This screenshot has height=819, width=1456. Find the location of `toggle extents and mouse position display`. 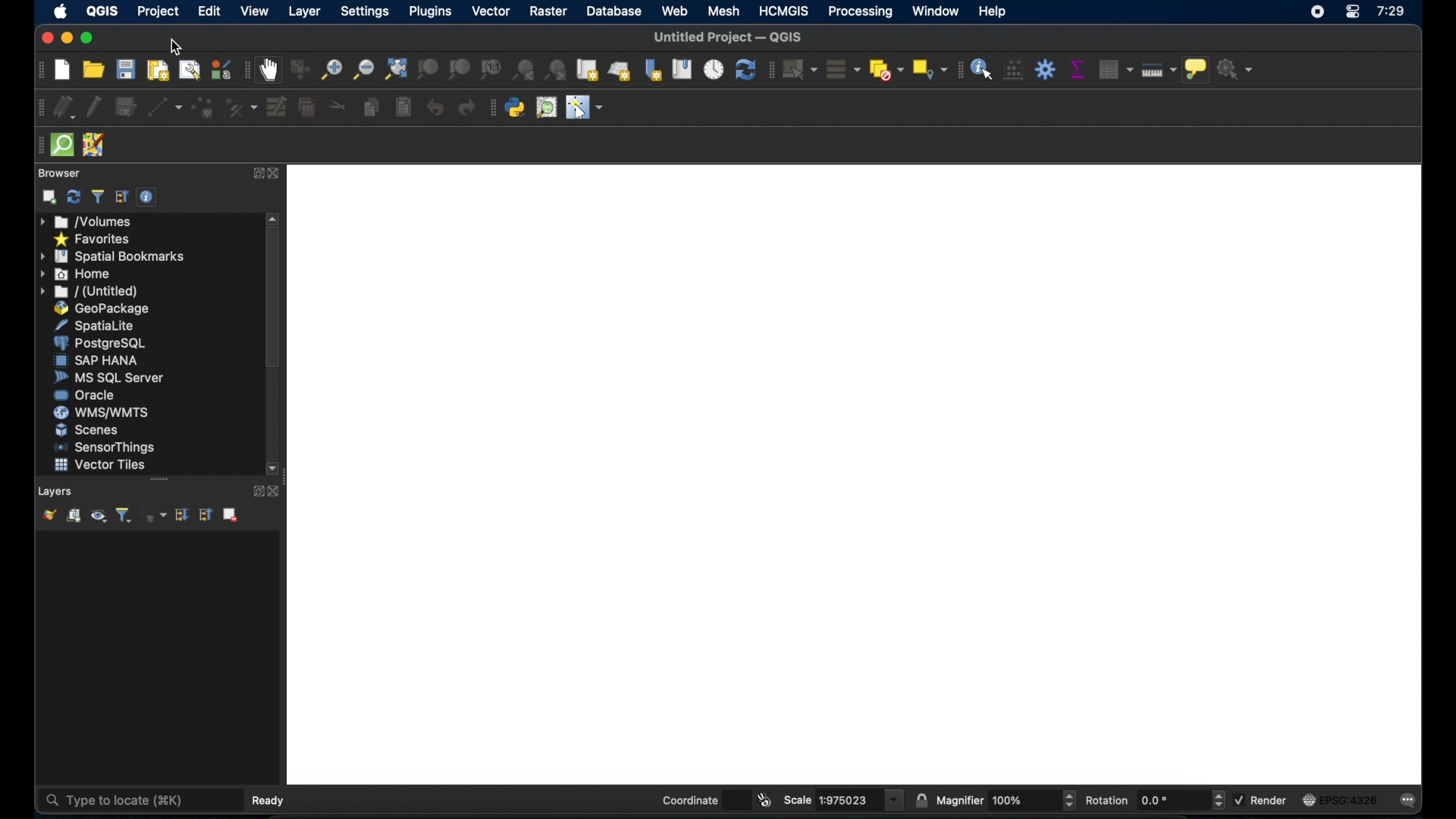

toggle extents and mouse position display is located at coordinates (766, 799).